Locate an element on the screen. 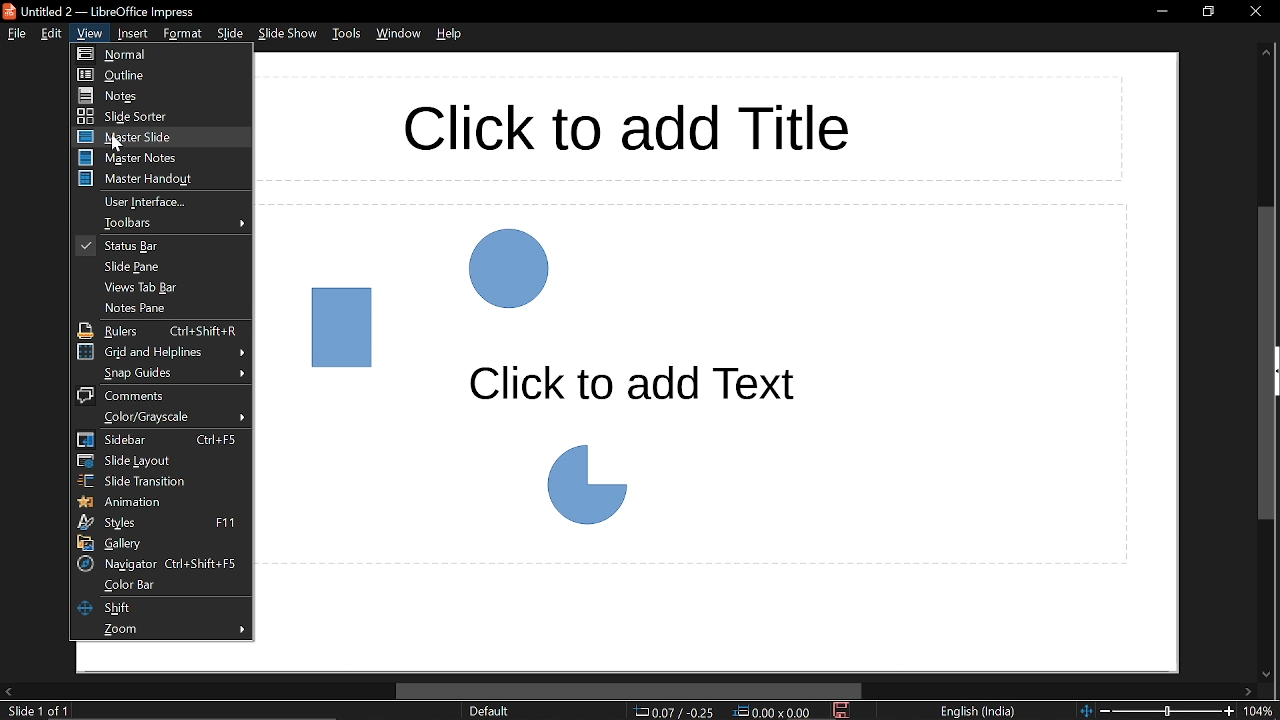 This screenshot has width=1280, height=720. View is located at coordinates (90, 34).